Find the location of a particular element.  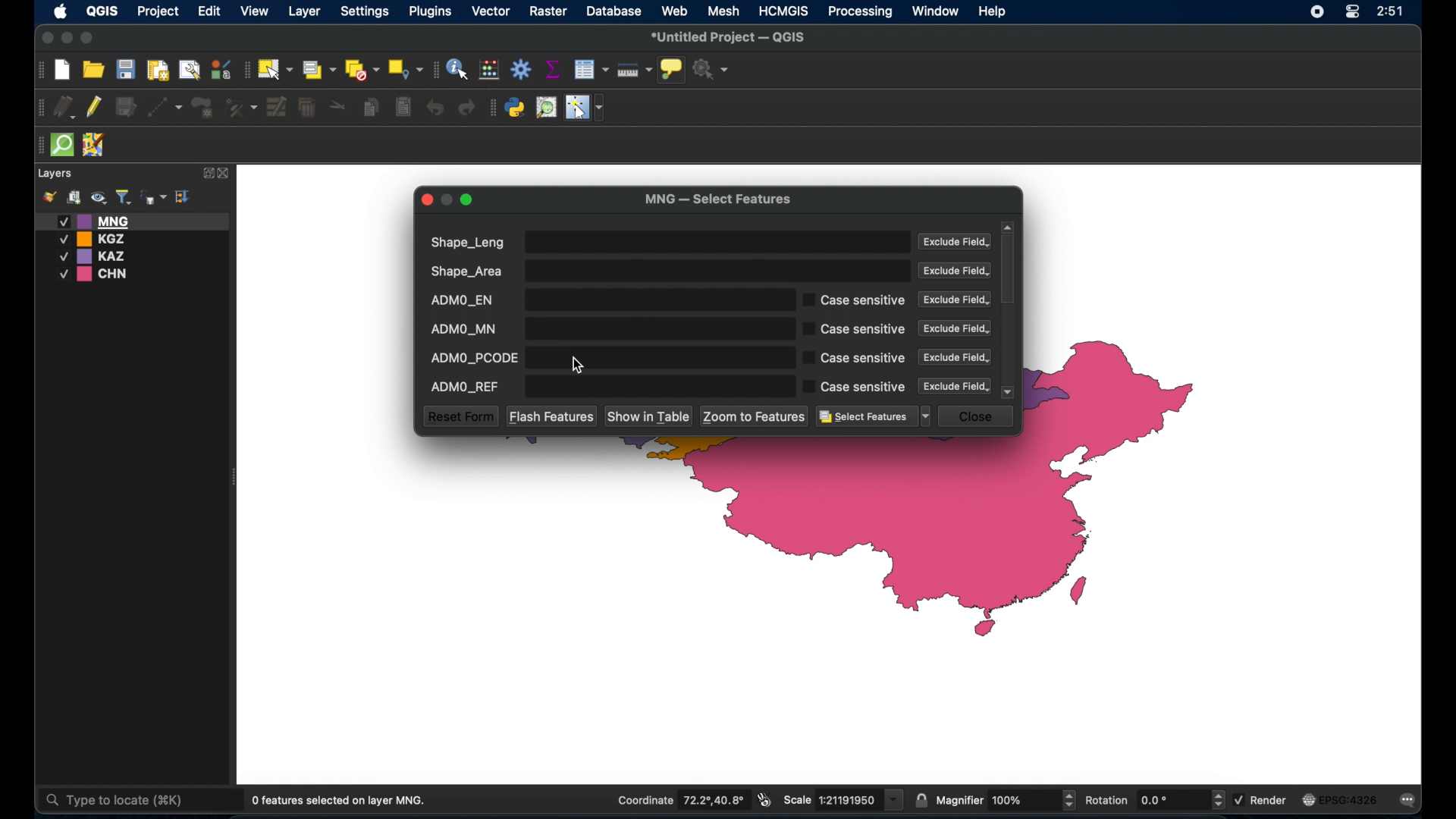

copy is located at coordinates (373, 107).